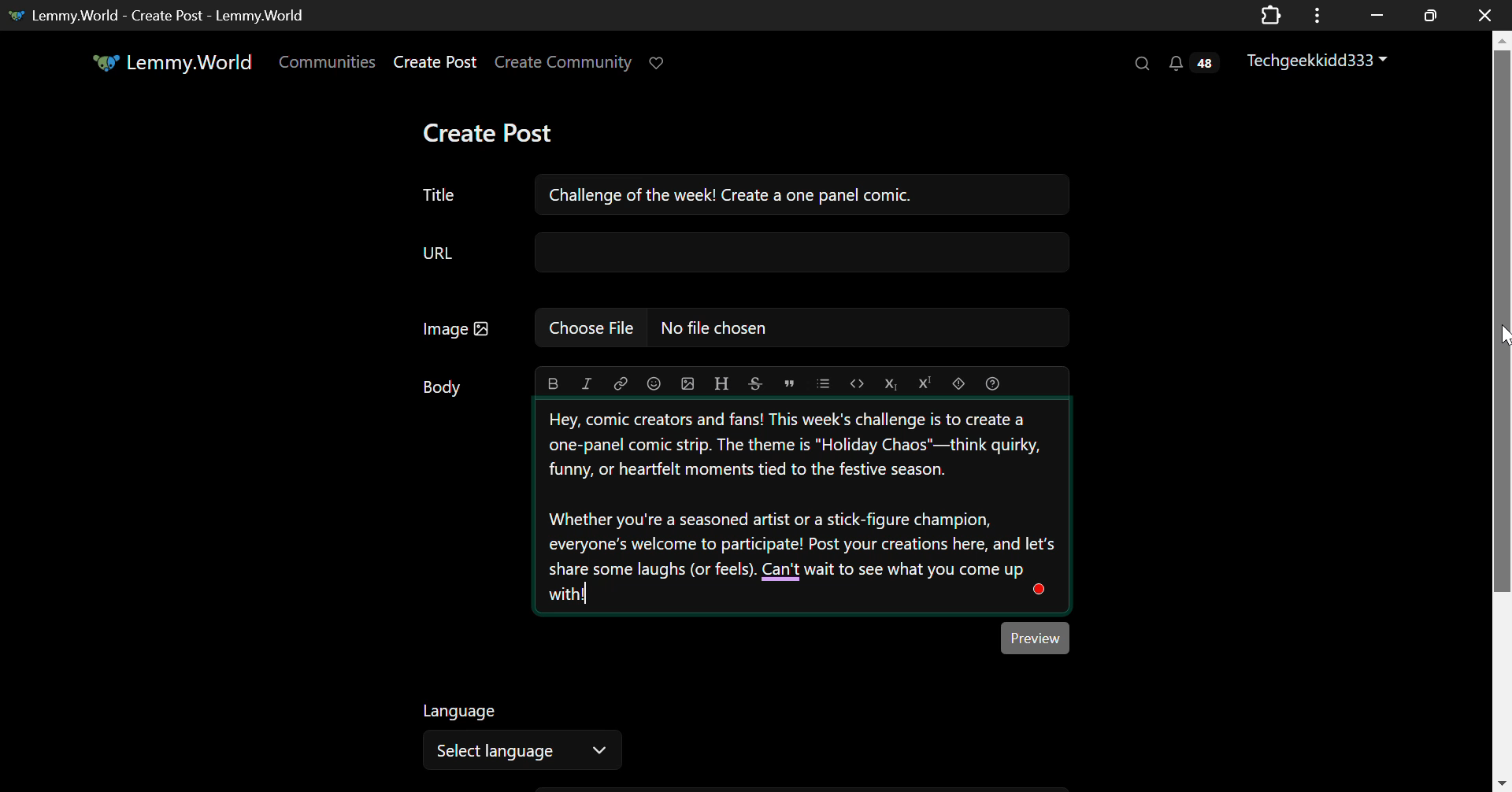  I want to click on italic, so click(585, 384).